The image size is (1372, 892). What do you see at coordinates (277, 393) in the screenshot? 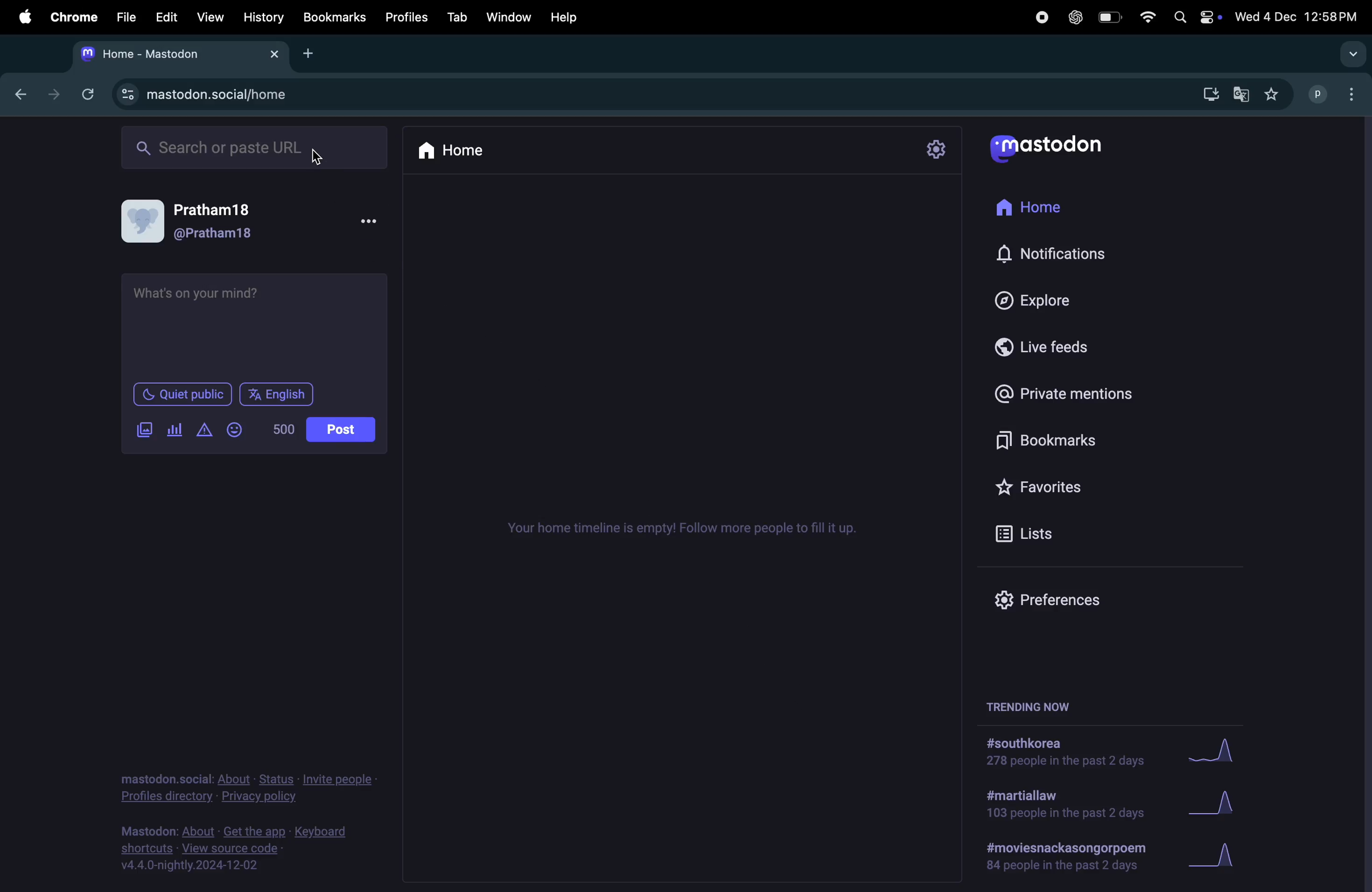
I see `English` at bounding box center [277, 393].